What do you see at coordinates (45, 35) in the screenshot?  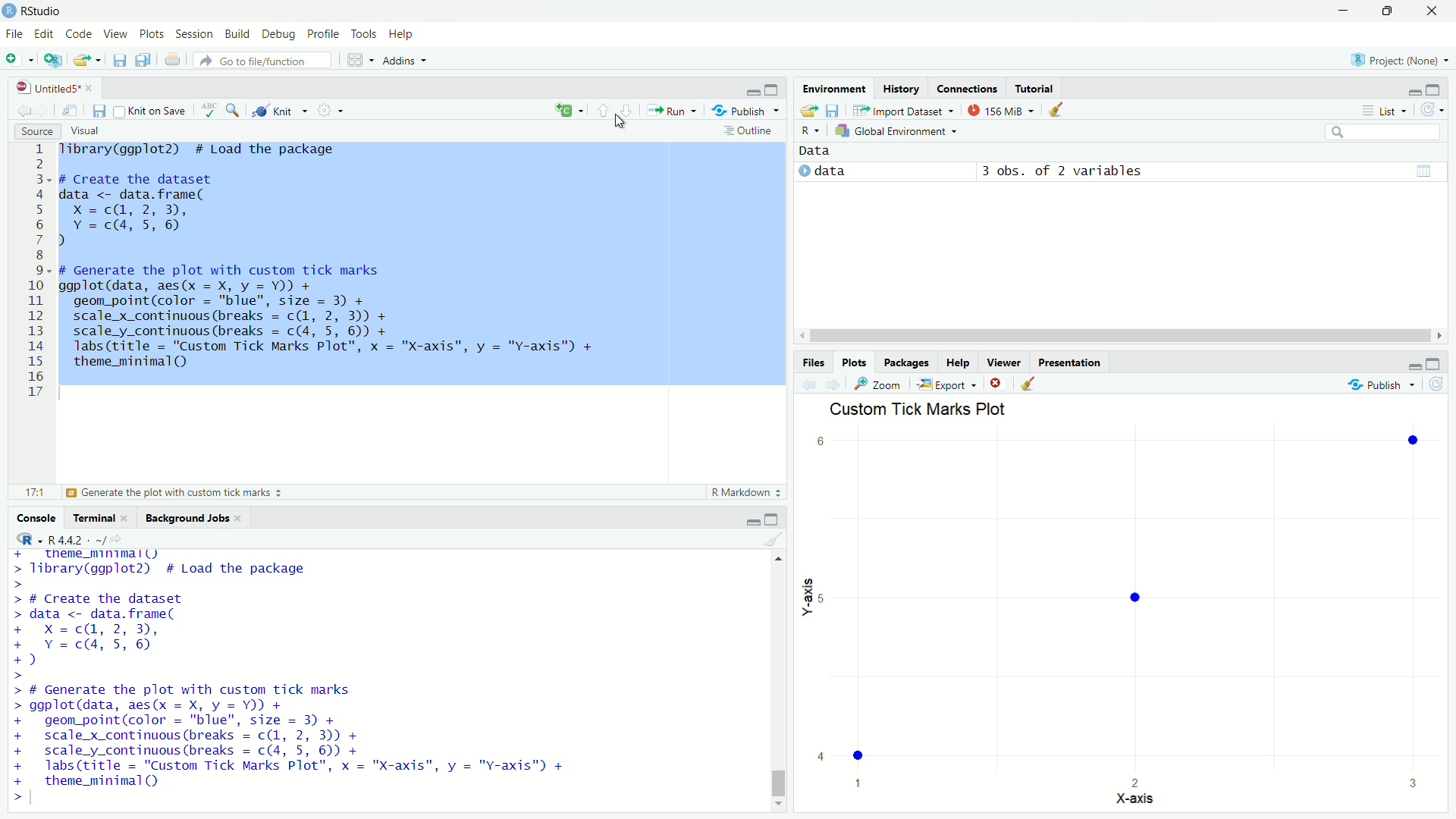 I see `edit` at bounding box center [45, 35].